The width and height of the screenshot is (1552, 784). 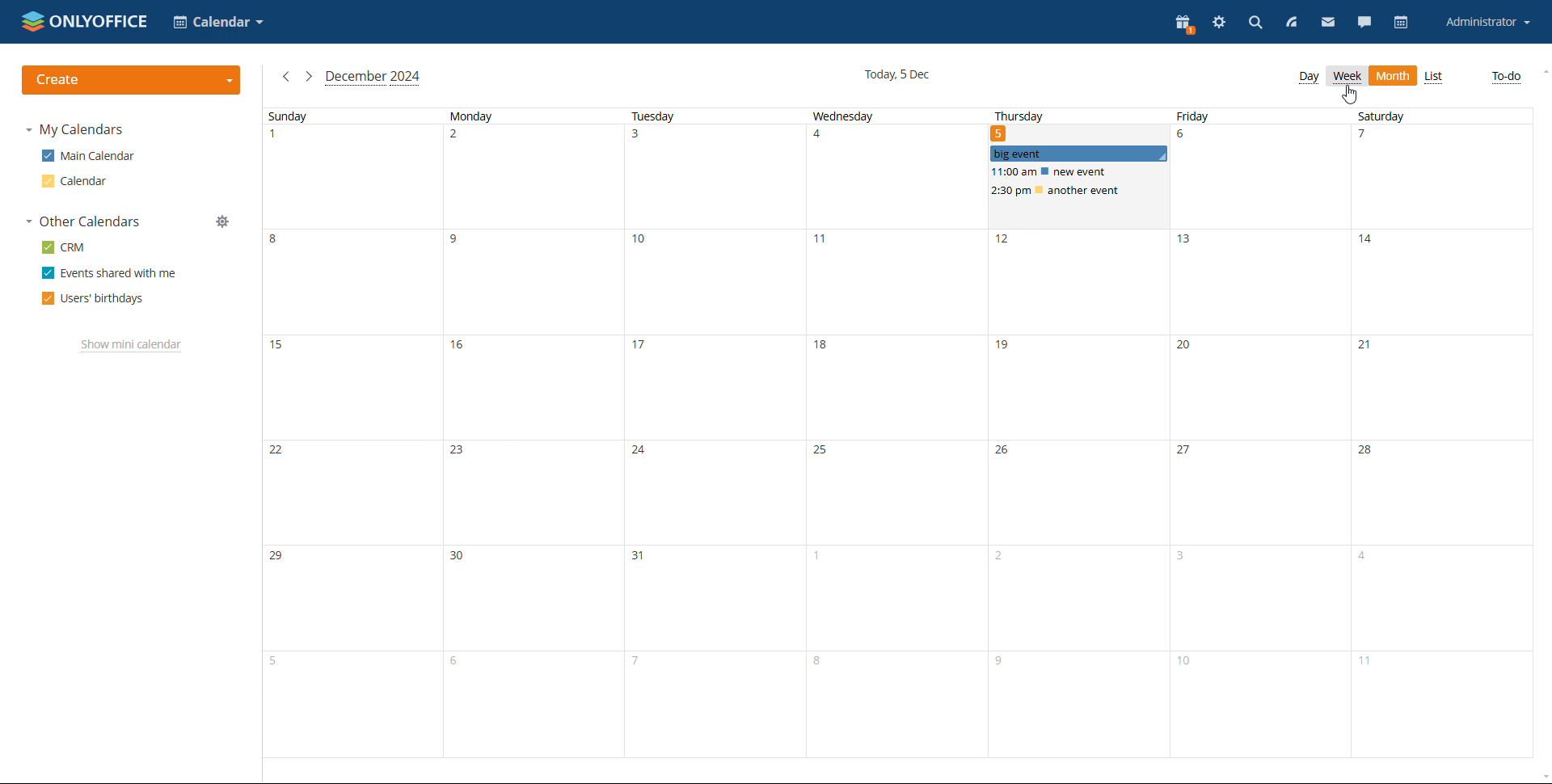 What do you see at coordinates (1054, 181) in the screenshot?
I see `other events` at bounding box center [1054, 181].